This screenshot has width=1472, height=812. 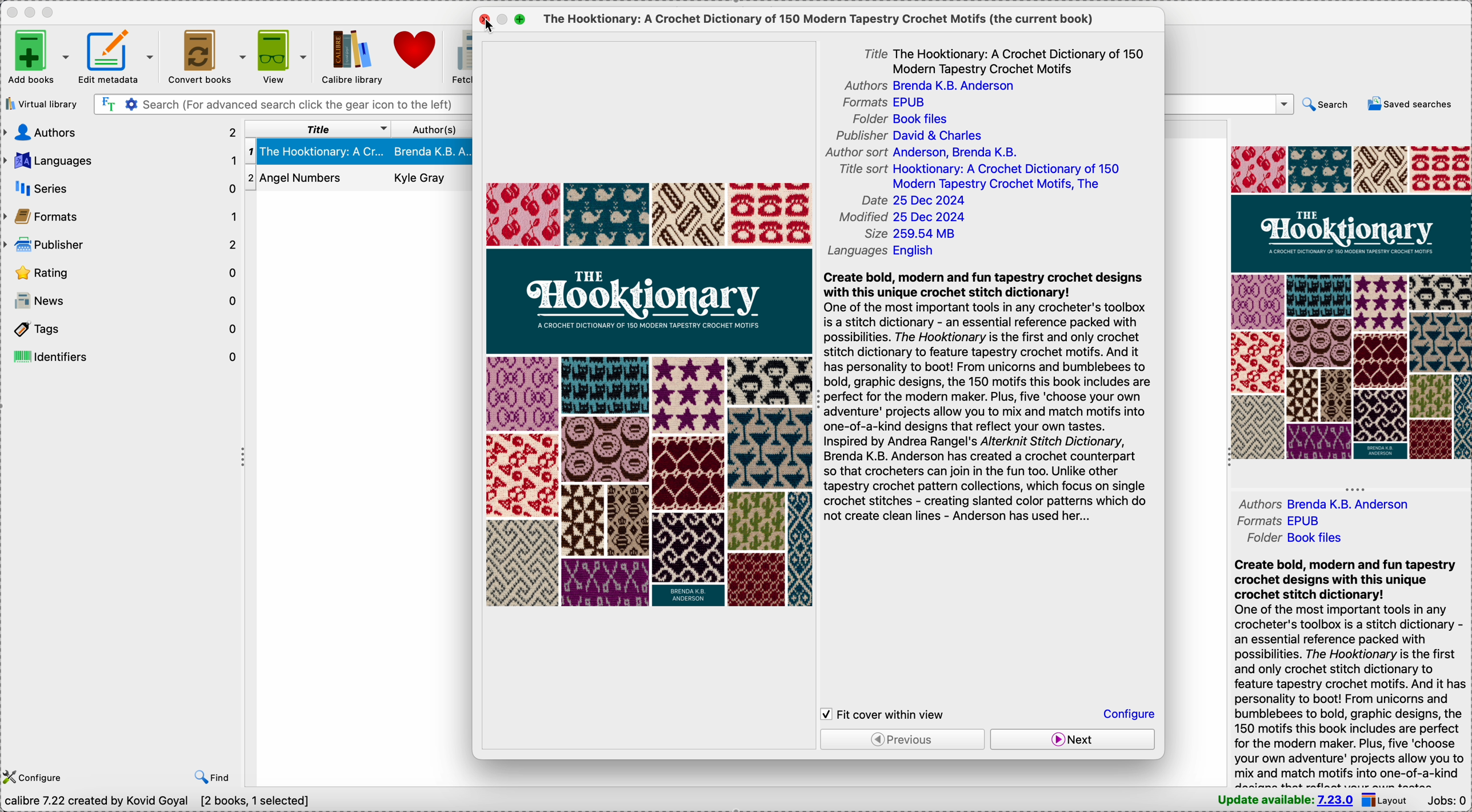 I want to click on search bar, so click(x=1230, y=104).